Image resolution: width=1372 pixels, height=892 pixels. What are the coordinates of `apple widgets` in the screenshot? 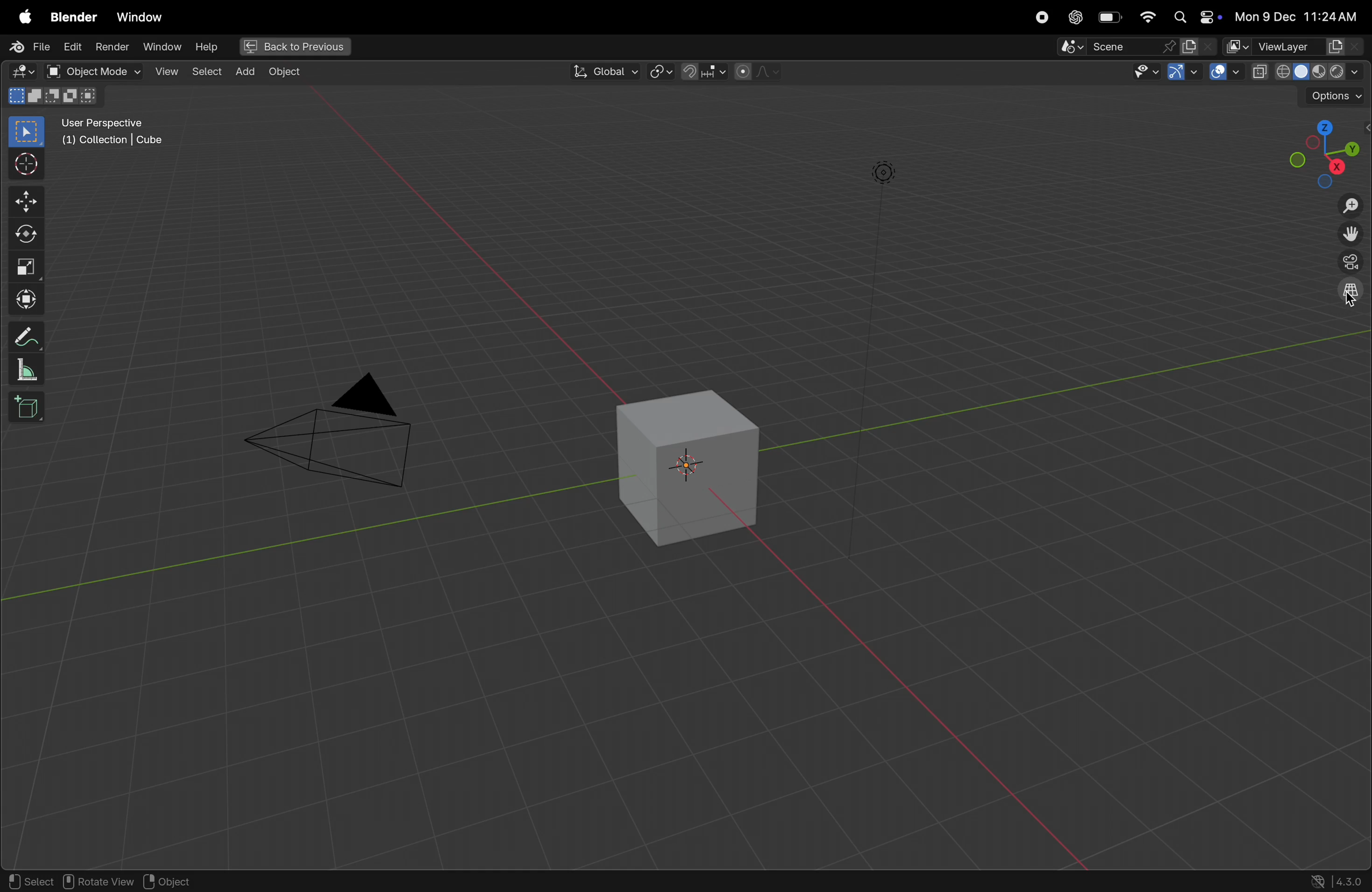 It's located at (1197, 17).